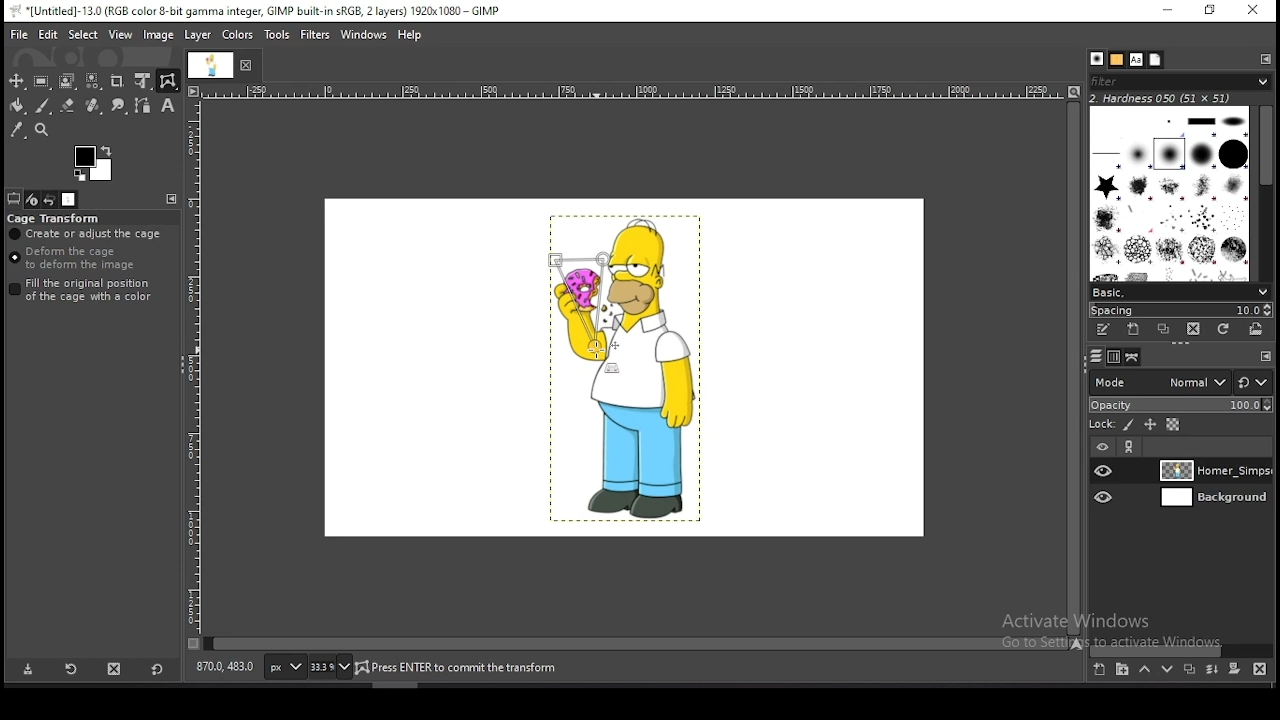 The width and height of the screenshot is (1280, 720). Describe the element at coordinates (68, 106) in the screenshot. I see `eraser tool` at that location.